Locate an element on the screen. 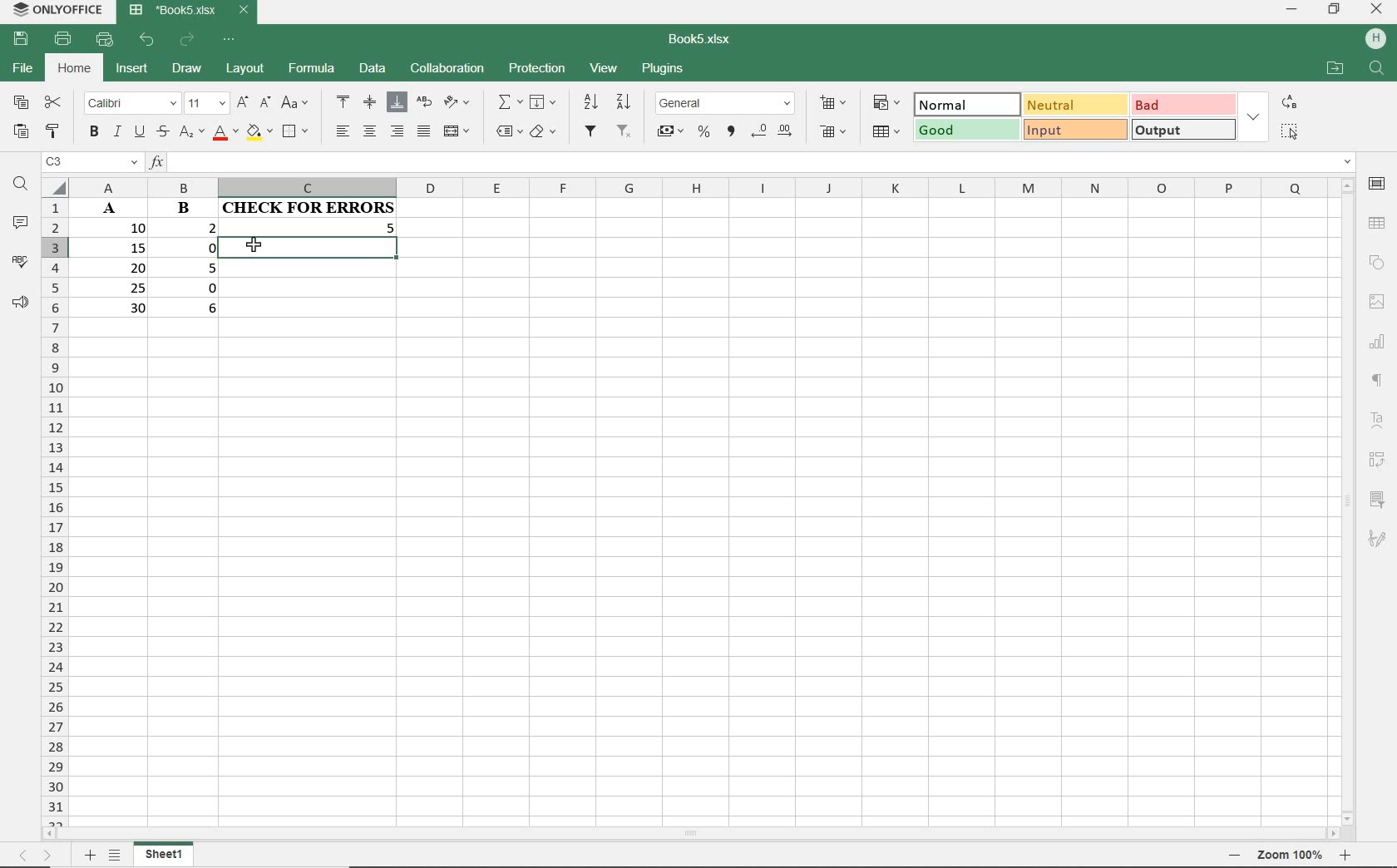 This screenshot has width=1397, height=868. CUSTOMIZE QUICK ACCESS TOOLBAR is located at coordinates (228, 40).